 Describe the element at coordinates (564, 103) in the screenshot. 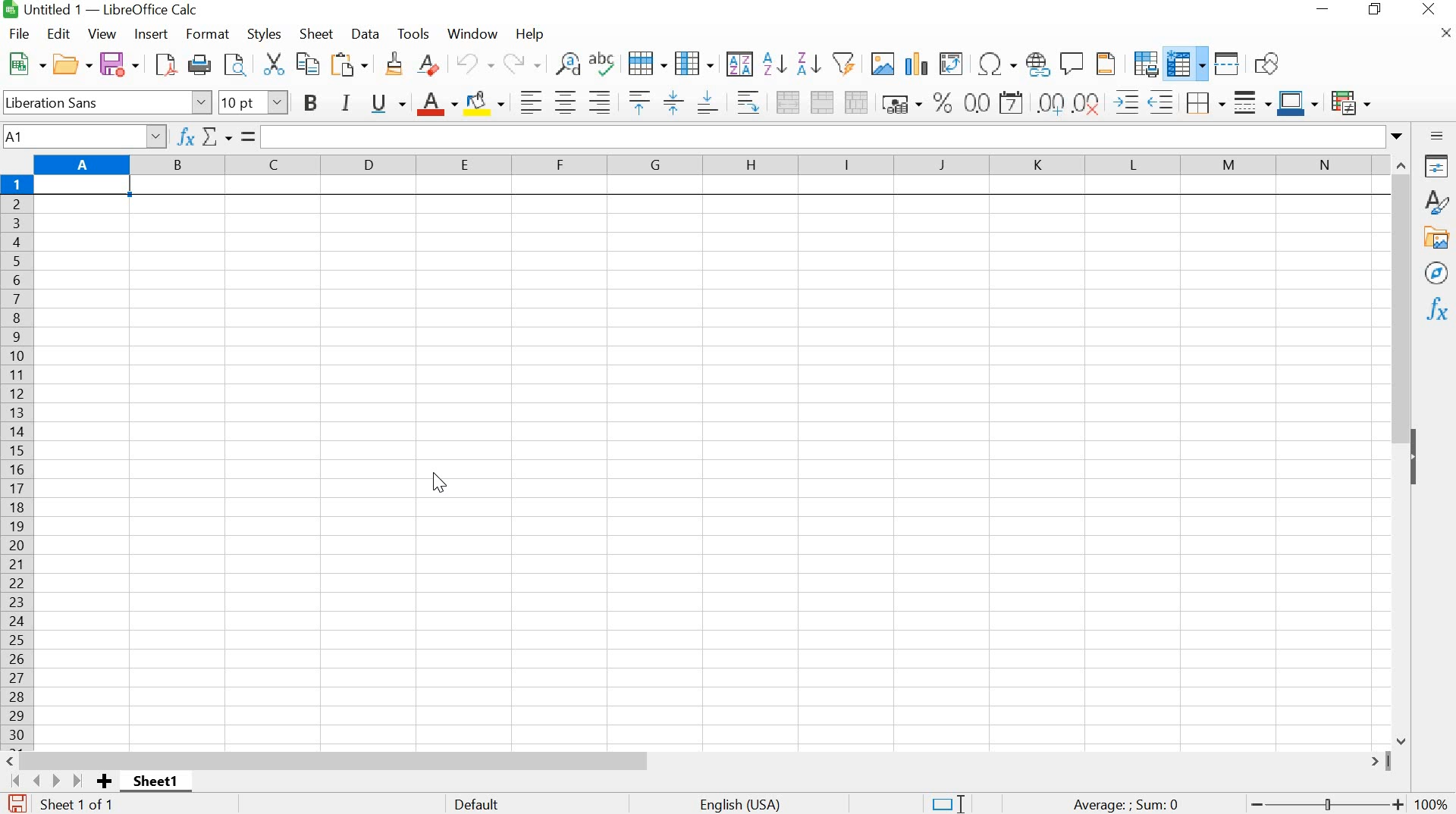

I see `ALIGN CENTER` at that location.